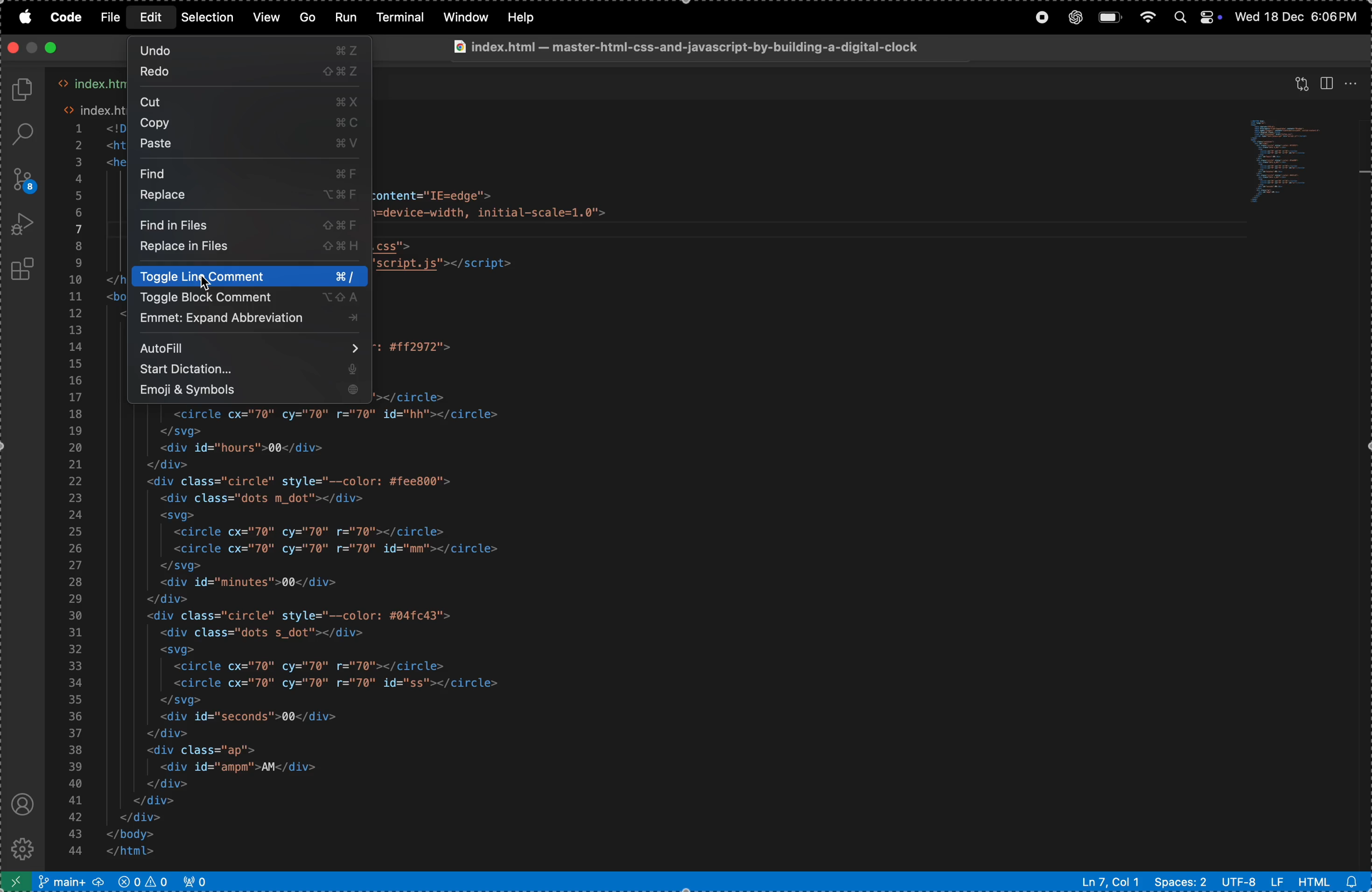 This screenshot has width=1372, height=892. Describe the element at coordinates (152, 17) in the screenshot. I see `edit` at that location.